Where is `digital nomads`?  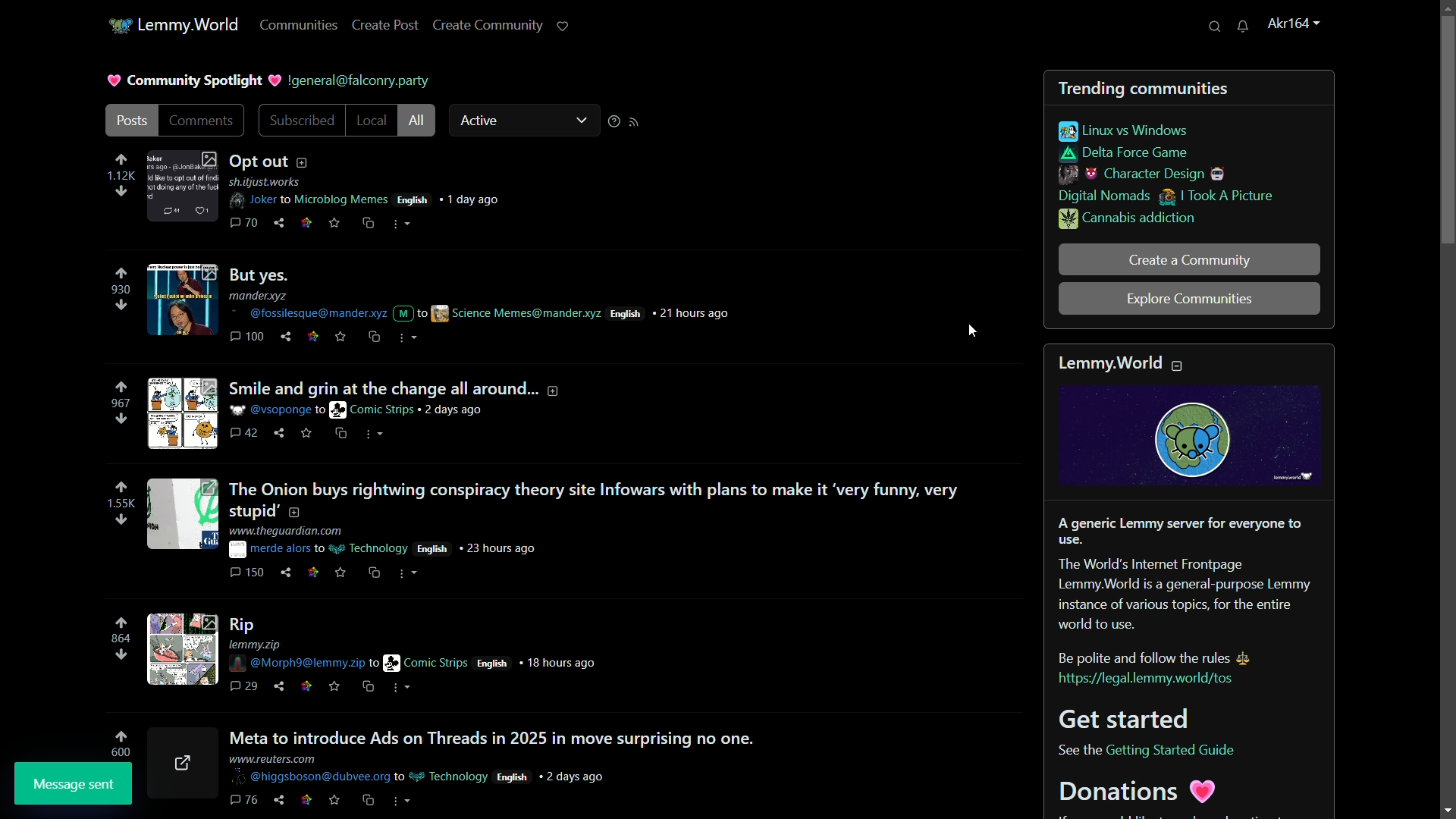 digital nomads is located at coordinates (1105, 196).